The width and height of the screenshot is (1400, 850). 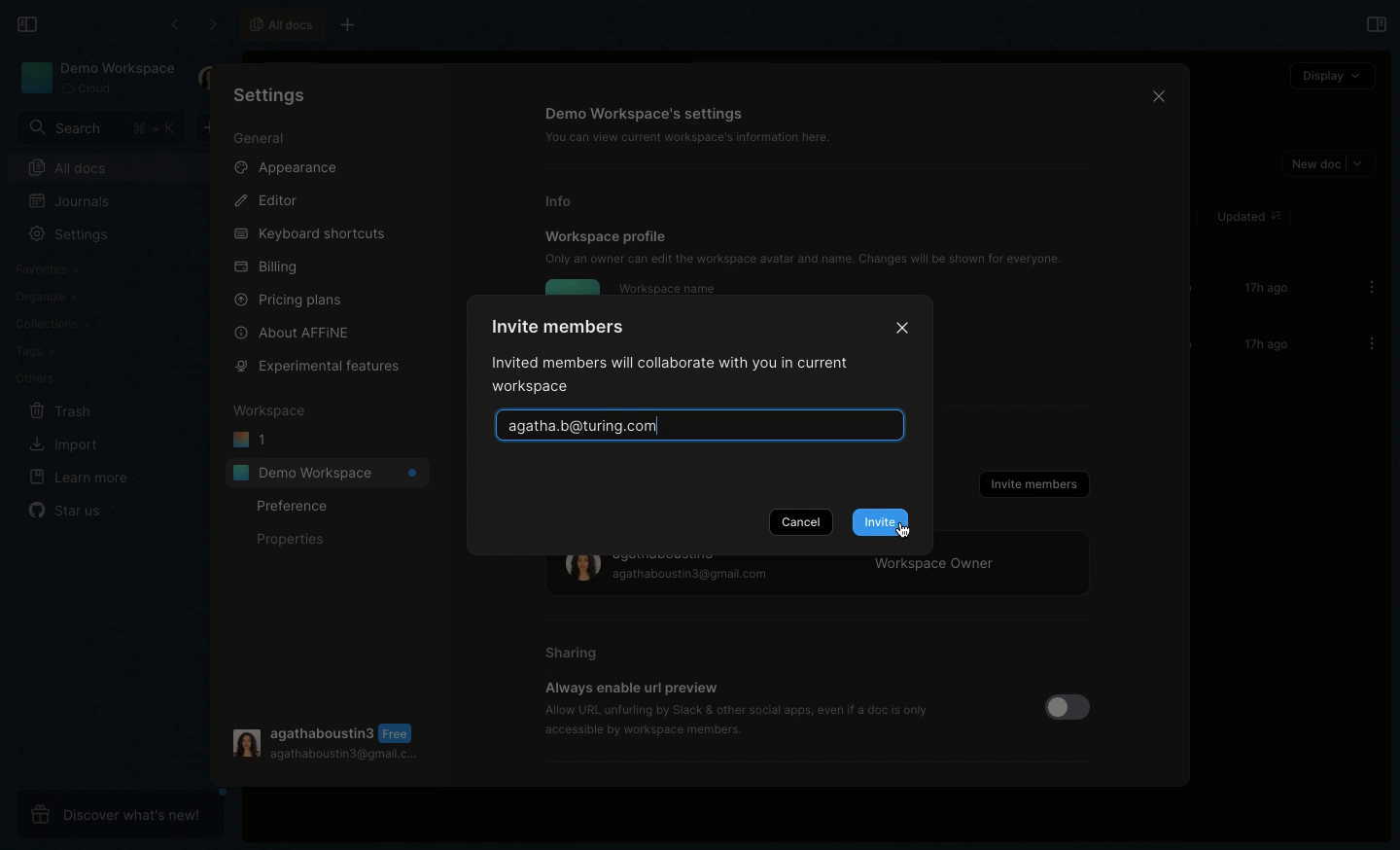 I want to click on Sharing, so click(x=573, y=654).